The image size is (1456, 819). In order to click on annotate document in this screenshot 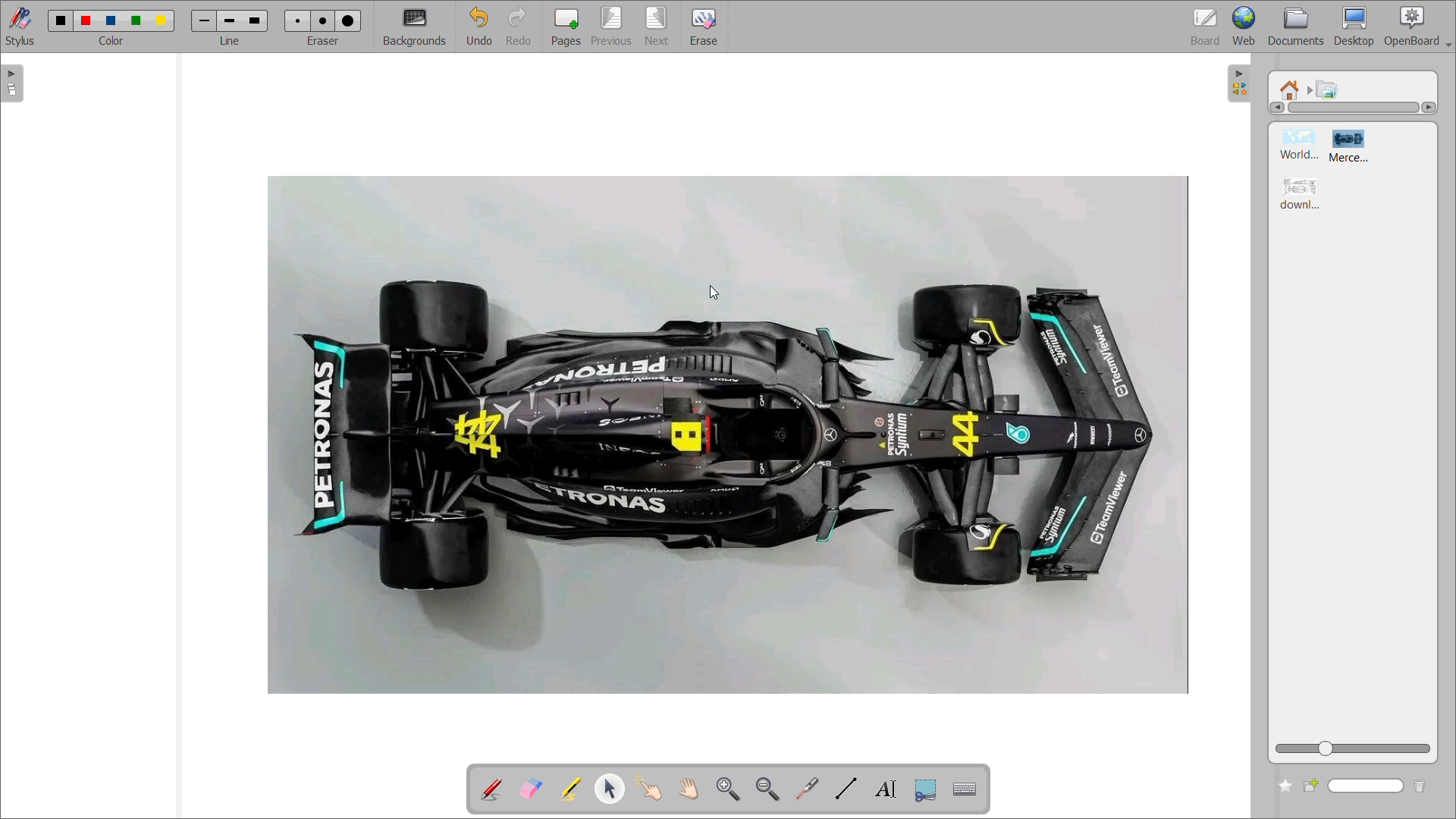, I will do `click(475, 792)`.